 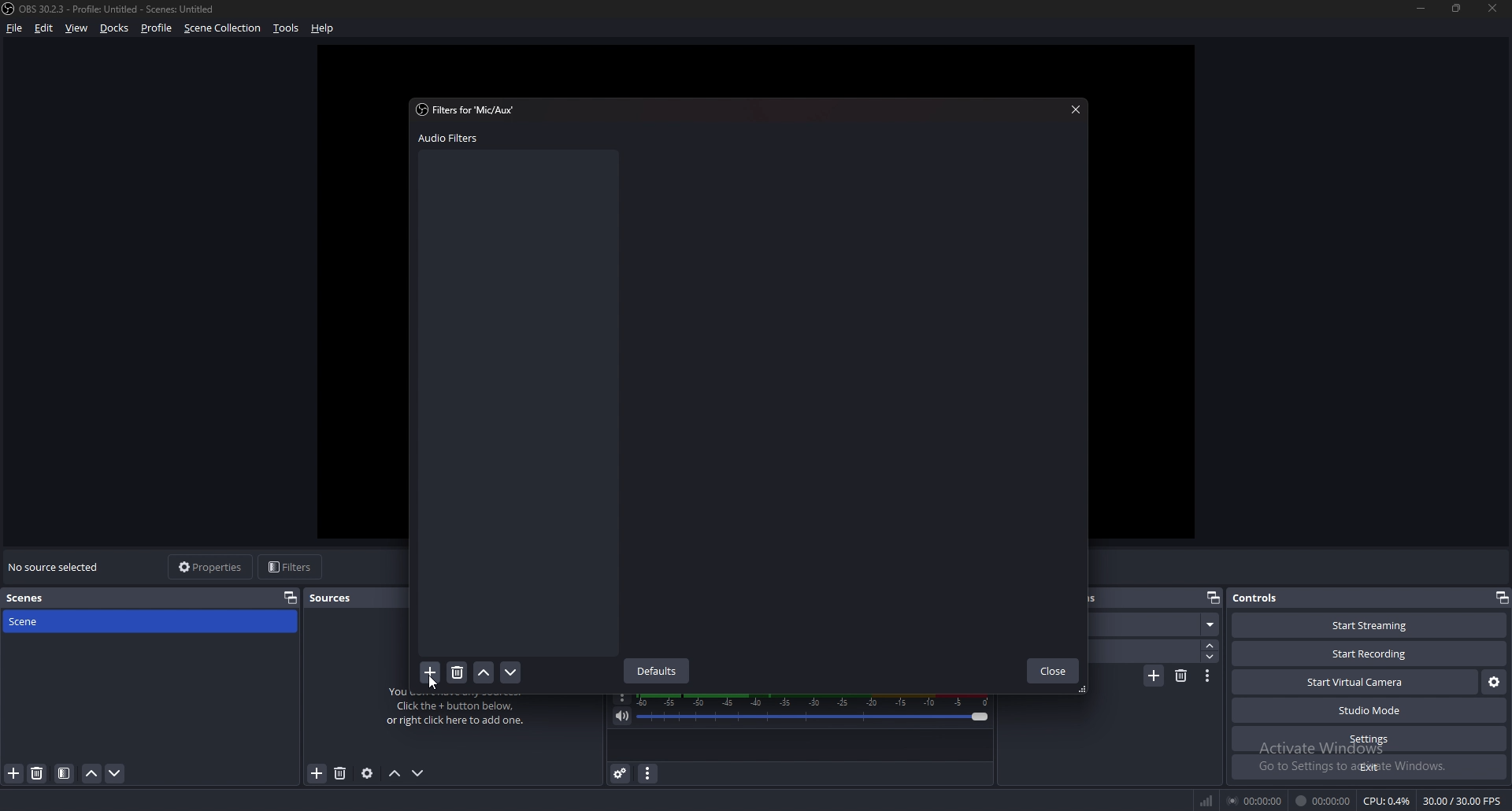 I want to click on delete scene, so click(x=39, y=773).